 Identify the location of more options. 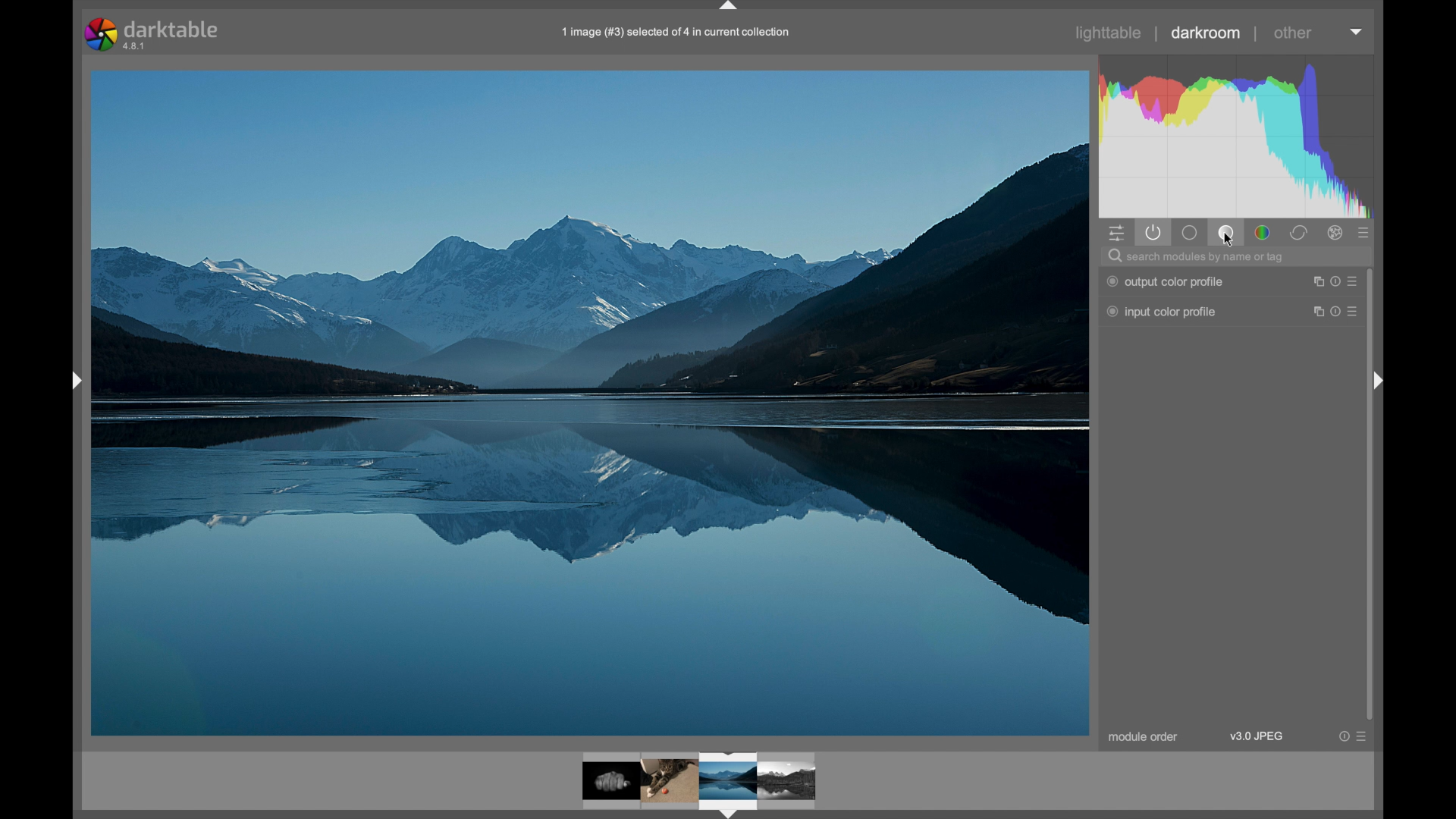
(1336, 312).